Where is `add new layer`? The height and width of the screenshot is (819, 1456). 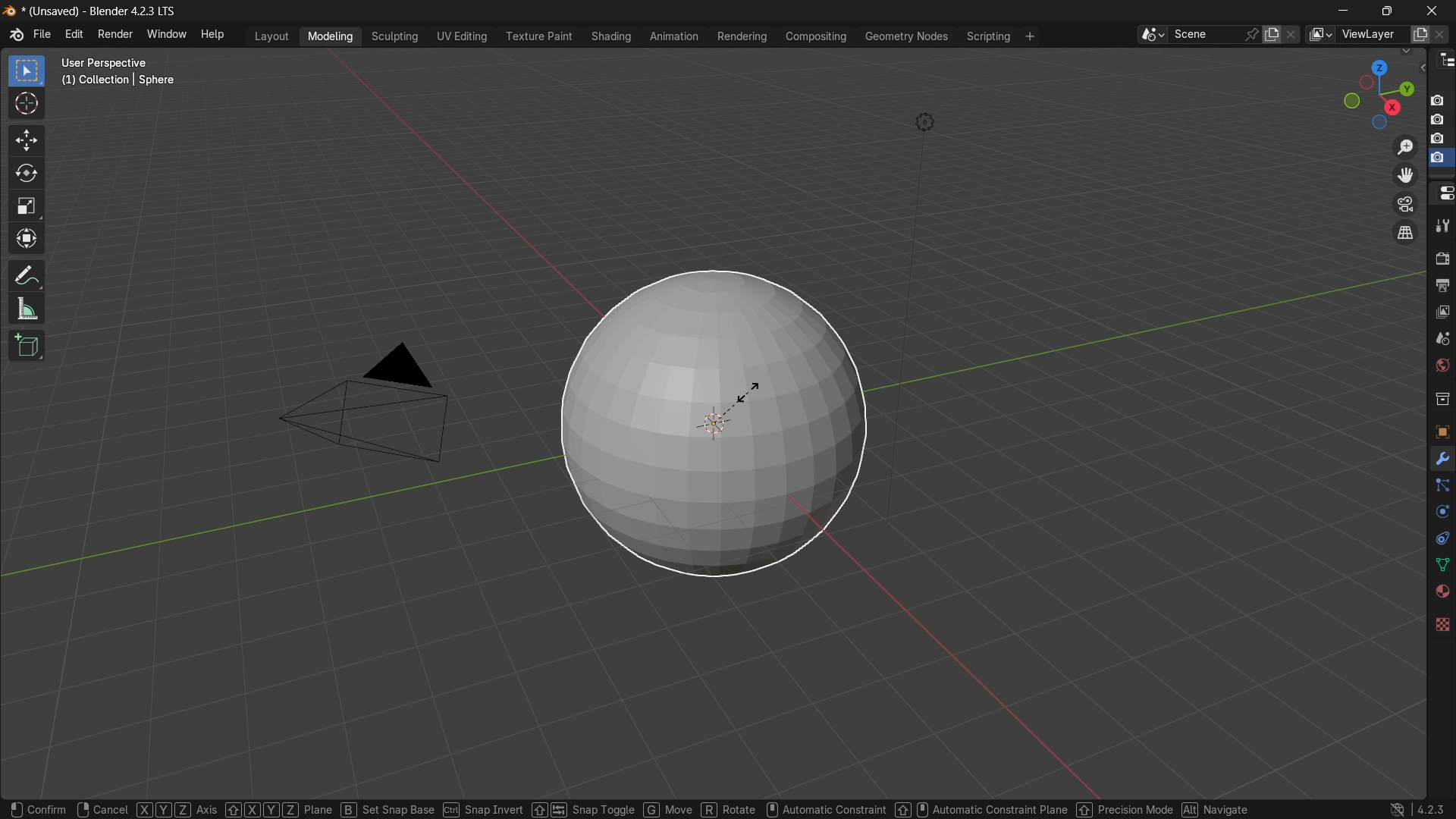
add new layer is located at coordinates (1420, 33).